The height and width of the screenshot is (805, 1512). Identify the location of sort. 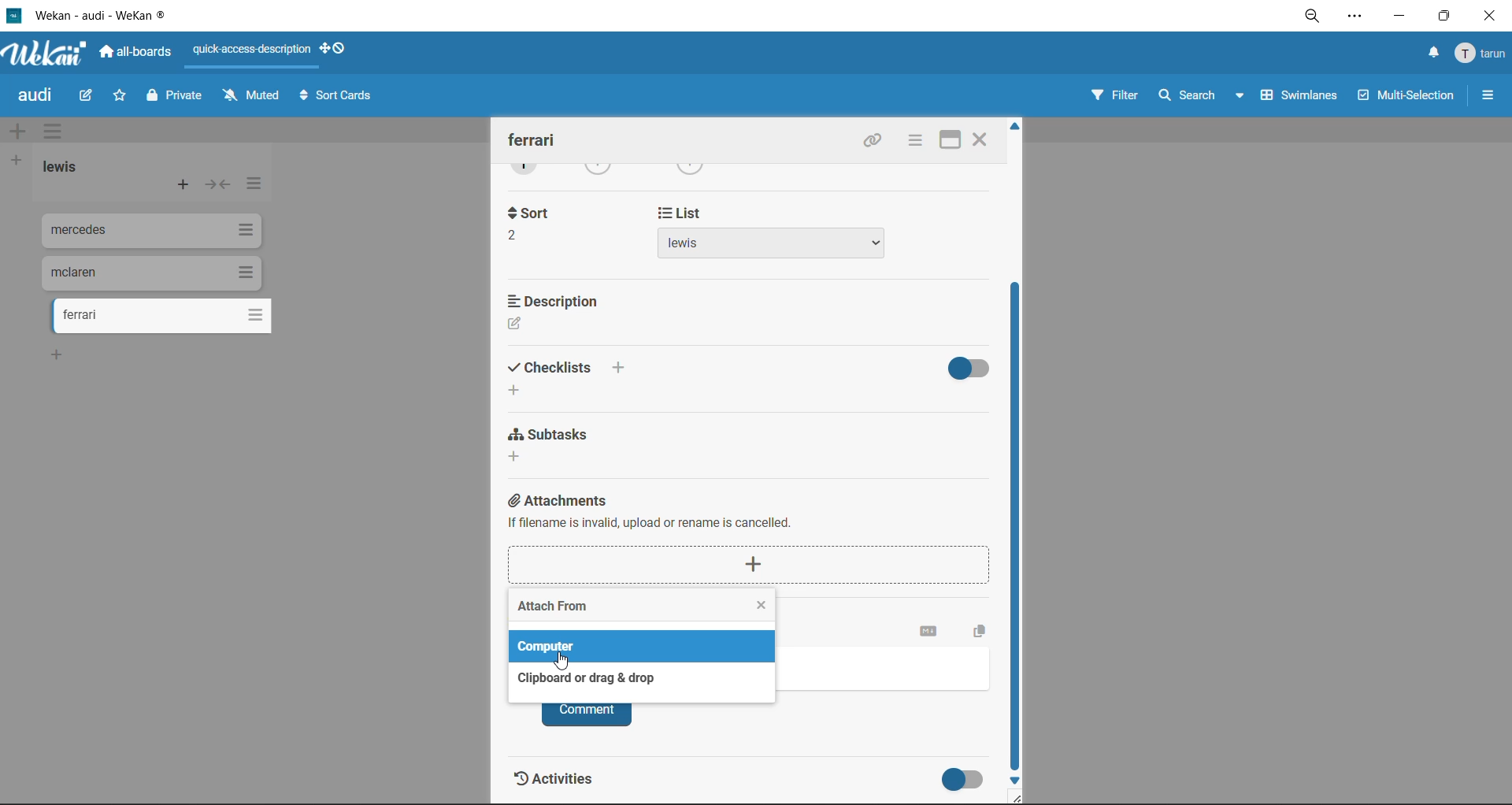
(528, 223).